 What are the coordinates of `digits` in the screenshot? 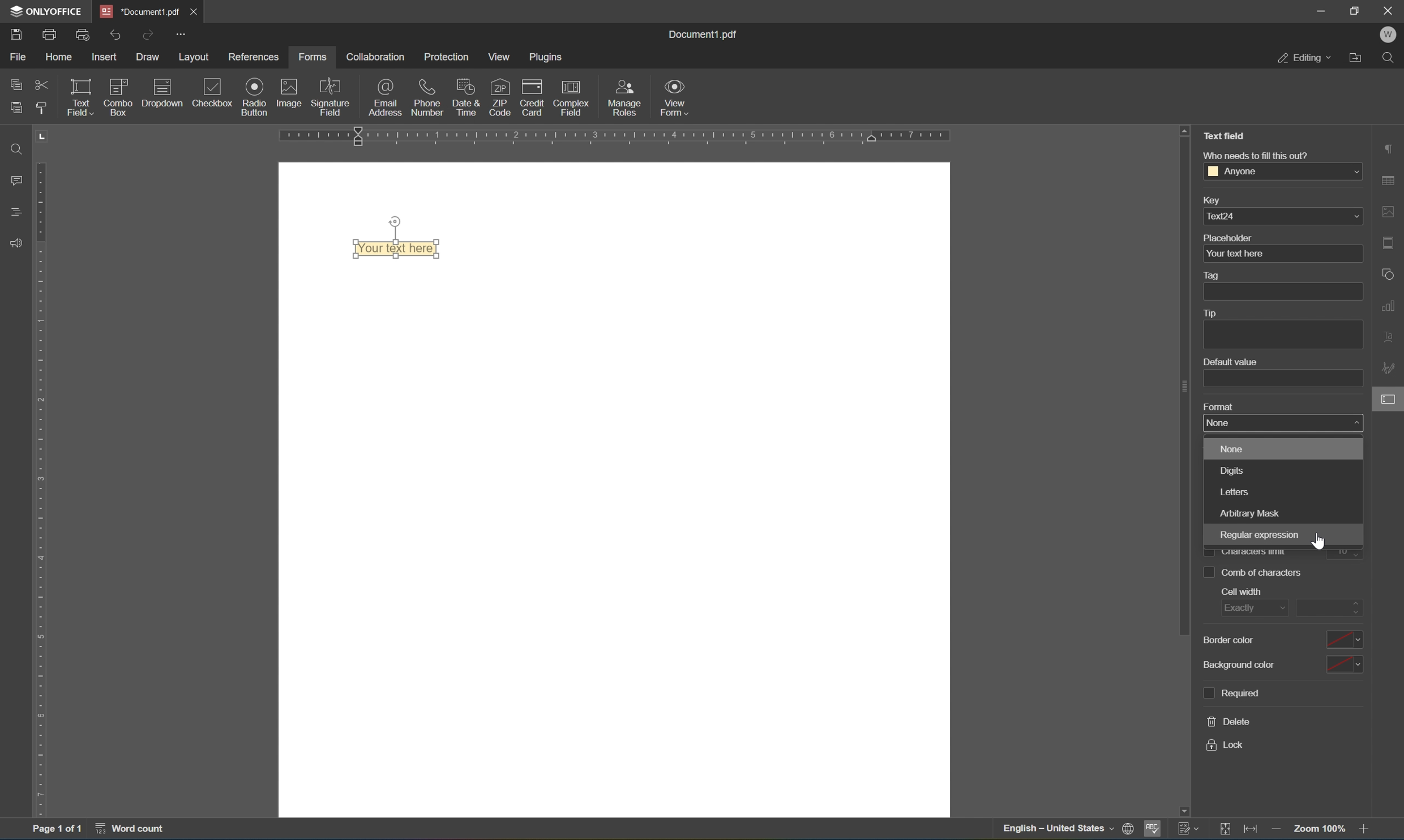 It's located at (1283, 471).